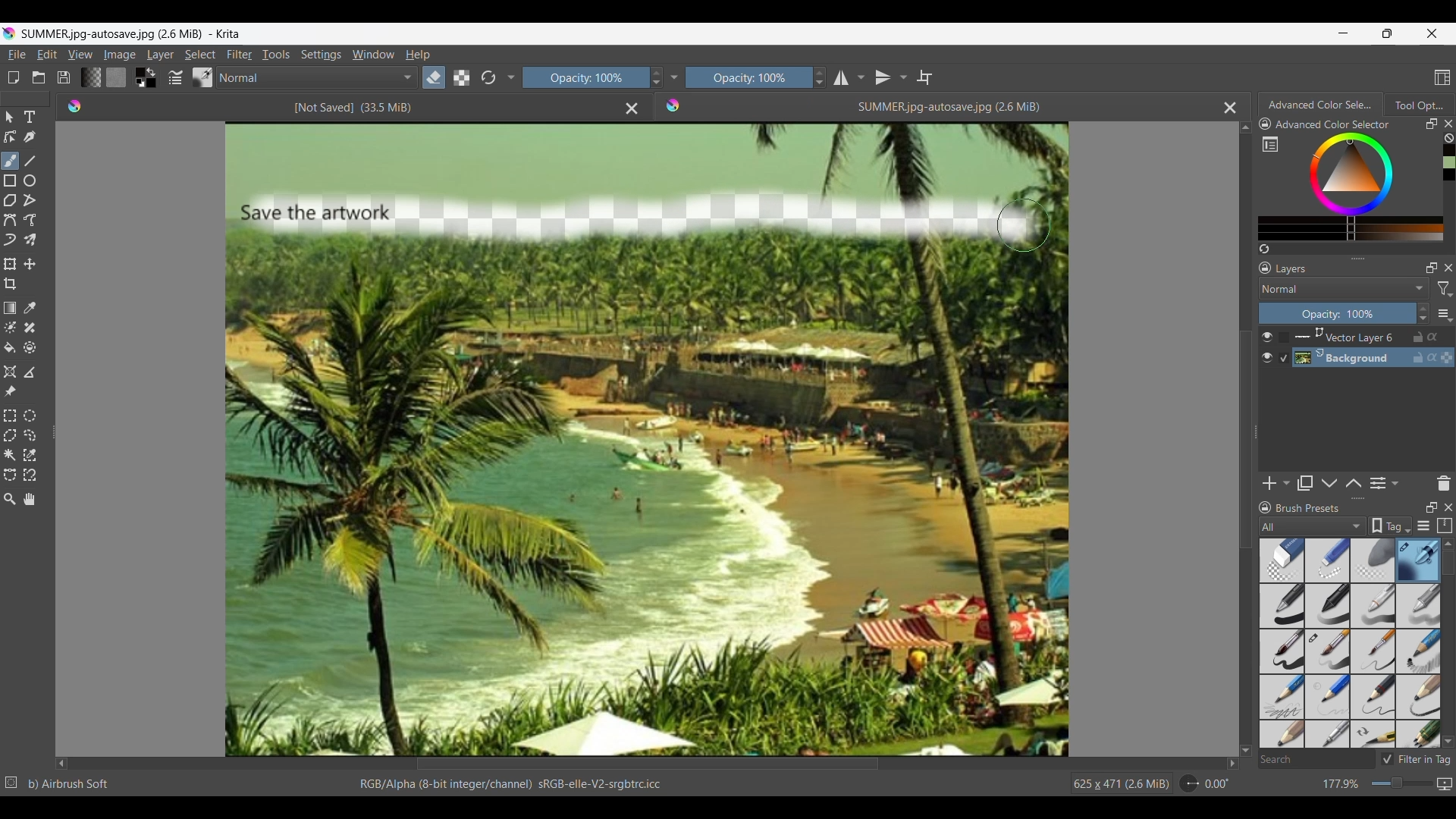  Describe the element at coordinates (322, 55) in the screenshot. I see `Settings` at that location.